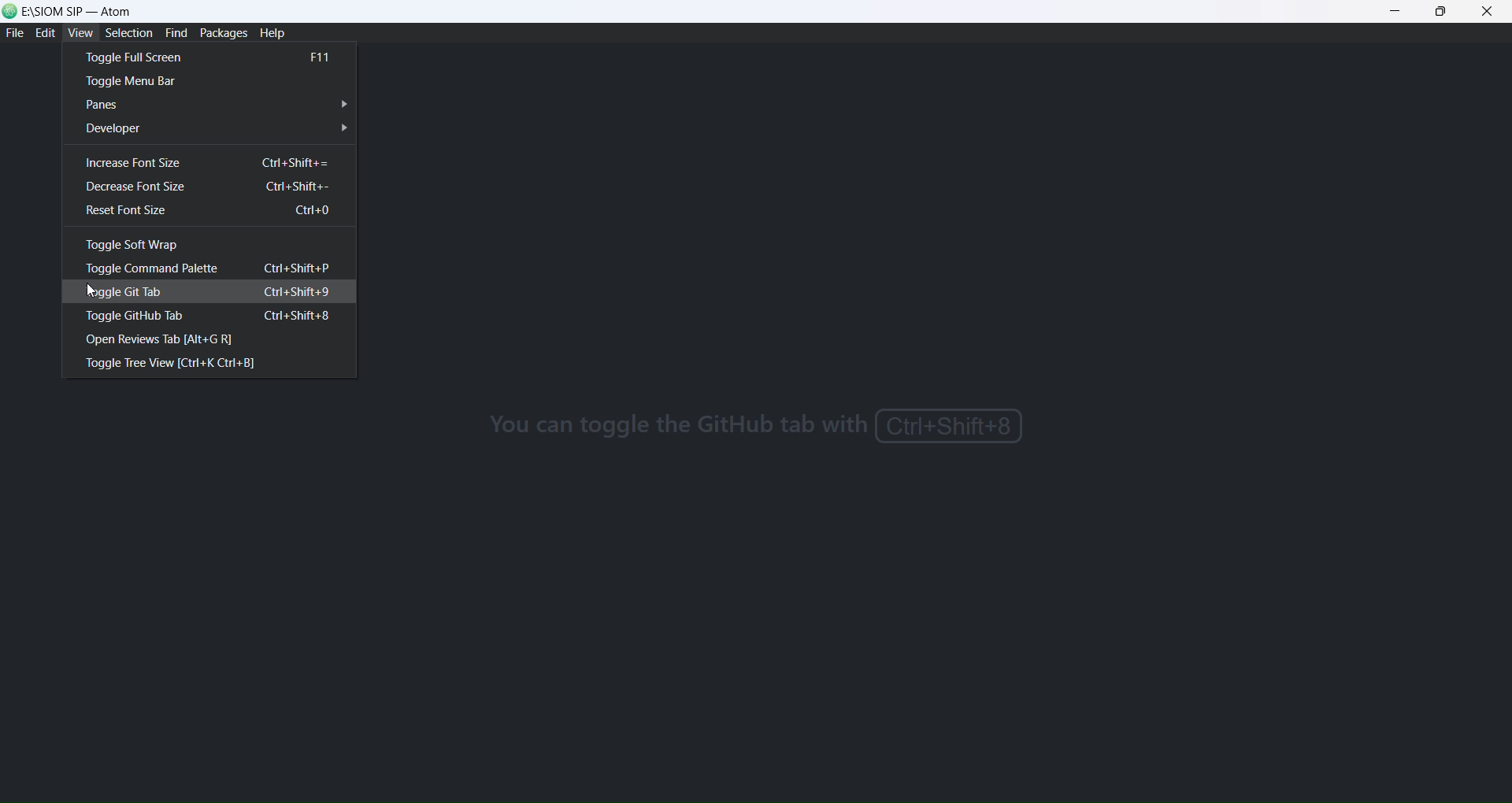 This screenshot has height=803, width=1512. I want to click on developer, so click(214, 131).